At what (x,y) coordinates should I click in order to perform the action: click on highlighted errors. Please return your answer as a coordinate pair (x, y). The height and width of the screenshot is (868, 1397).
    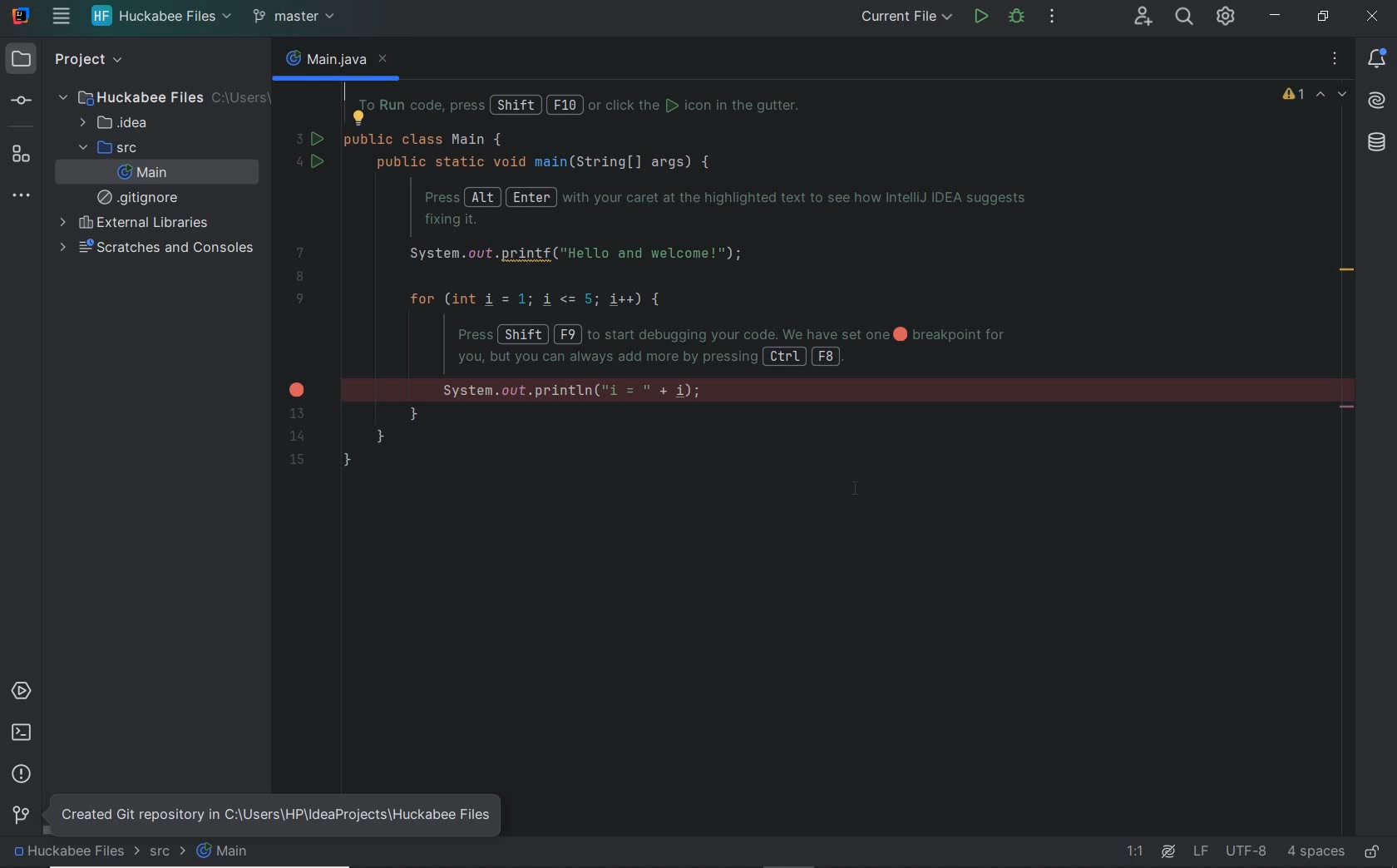
    Looking at the image, I should click on (1334, 96).